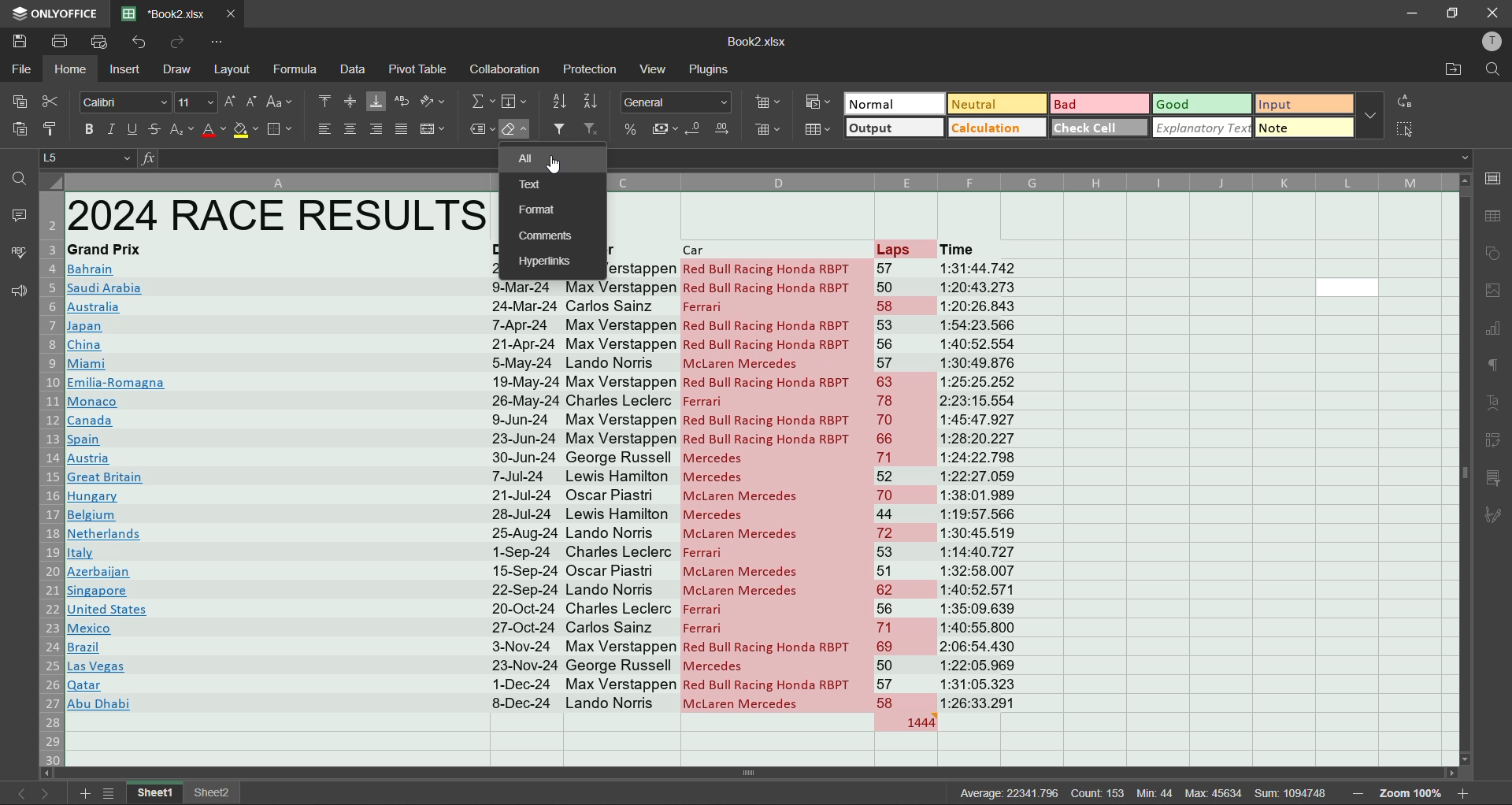 The image size is (1512, 805). I want to click on decrement size, so click(249, 101).